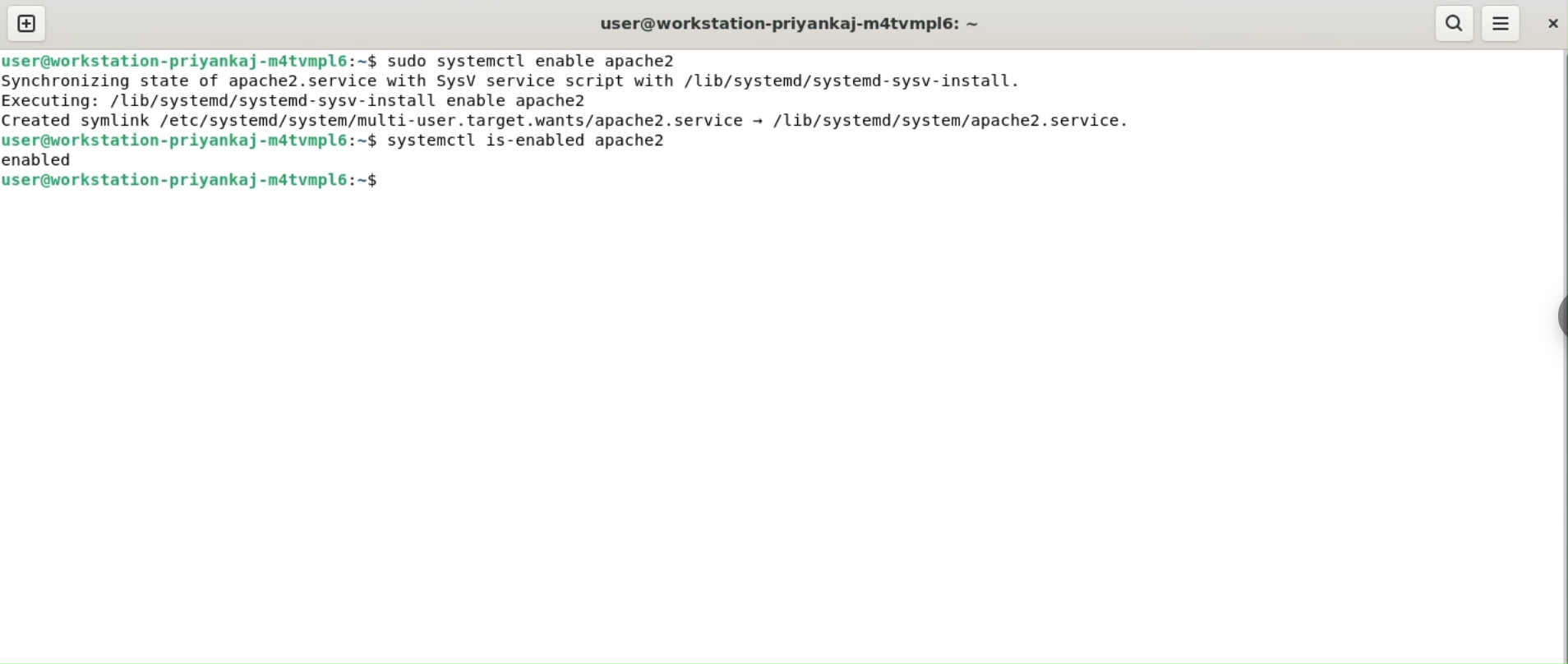 This screenshot has height=664, width=1568. Describe the element at coordinates (540, 142) in the screenshot. I see `systemctl is-enabled apache2` at that location.